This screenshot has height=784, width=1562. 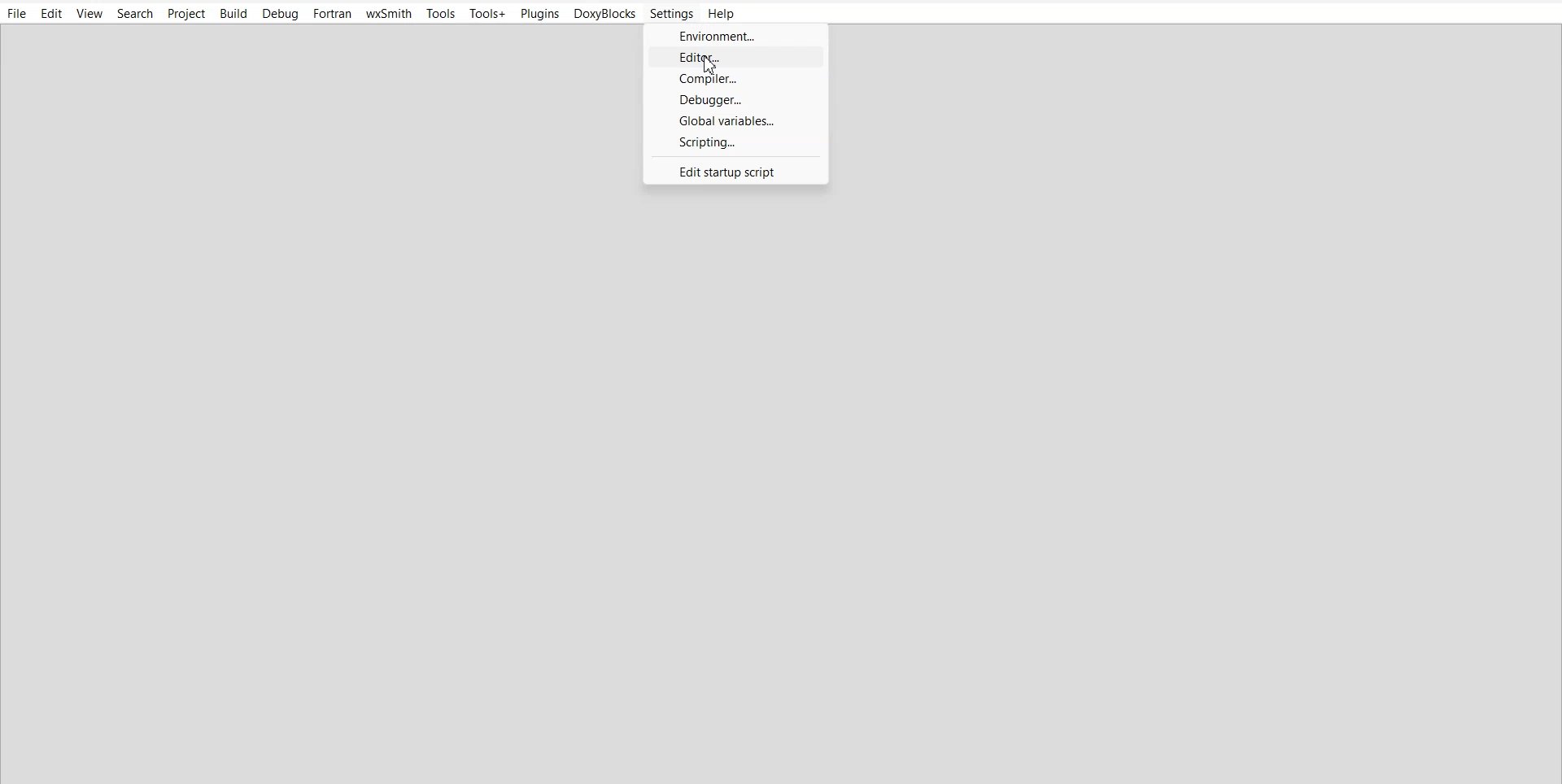 What do you see at coordinates (51, 14) in the screenshot?
I see `Edit` at bounding box center [51, 14].